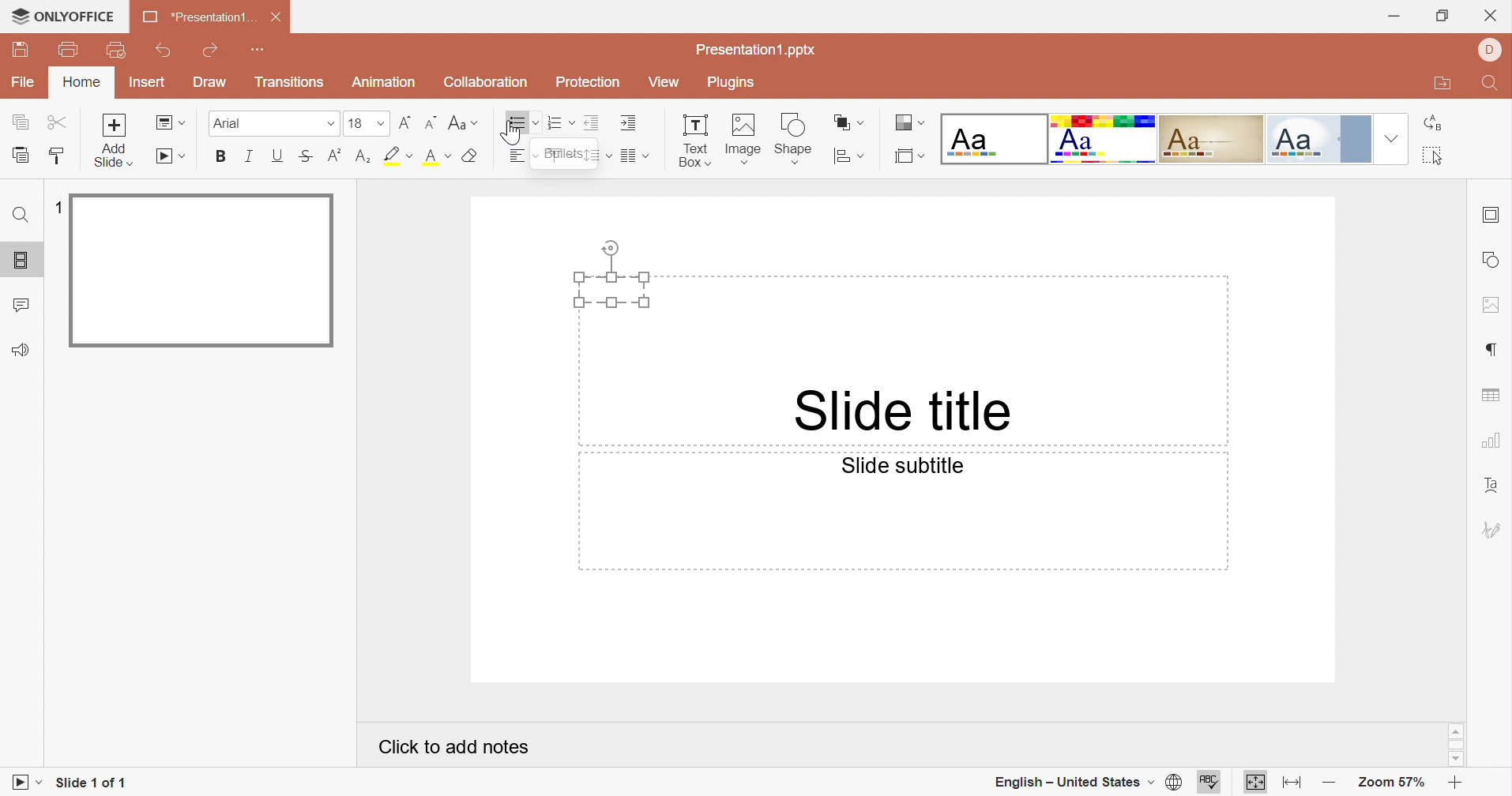 The image size is (1512, 796). What do you see at coordinates (331, 125) in the screenshot?
I see `Drop Down` at bounding box center [331, 125].